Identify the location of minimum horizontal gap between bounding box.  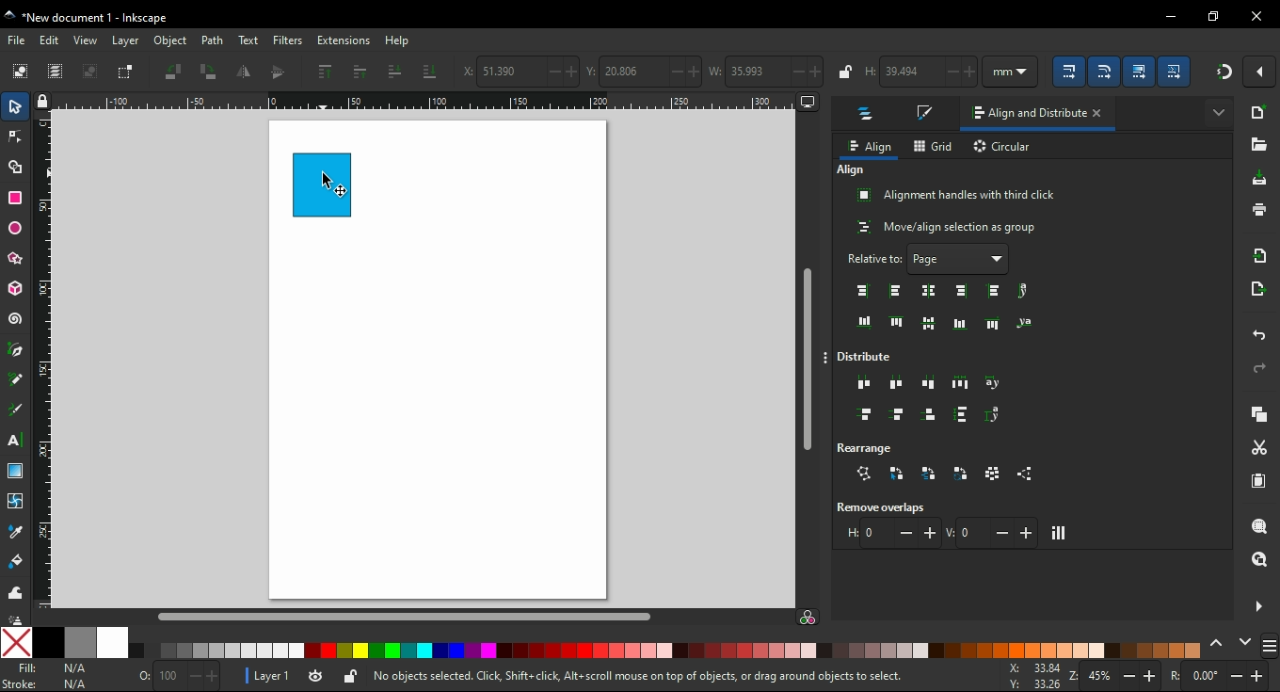
(891, 533).